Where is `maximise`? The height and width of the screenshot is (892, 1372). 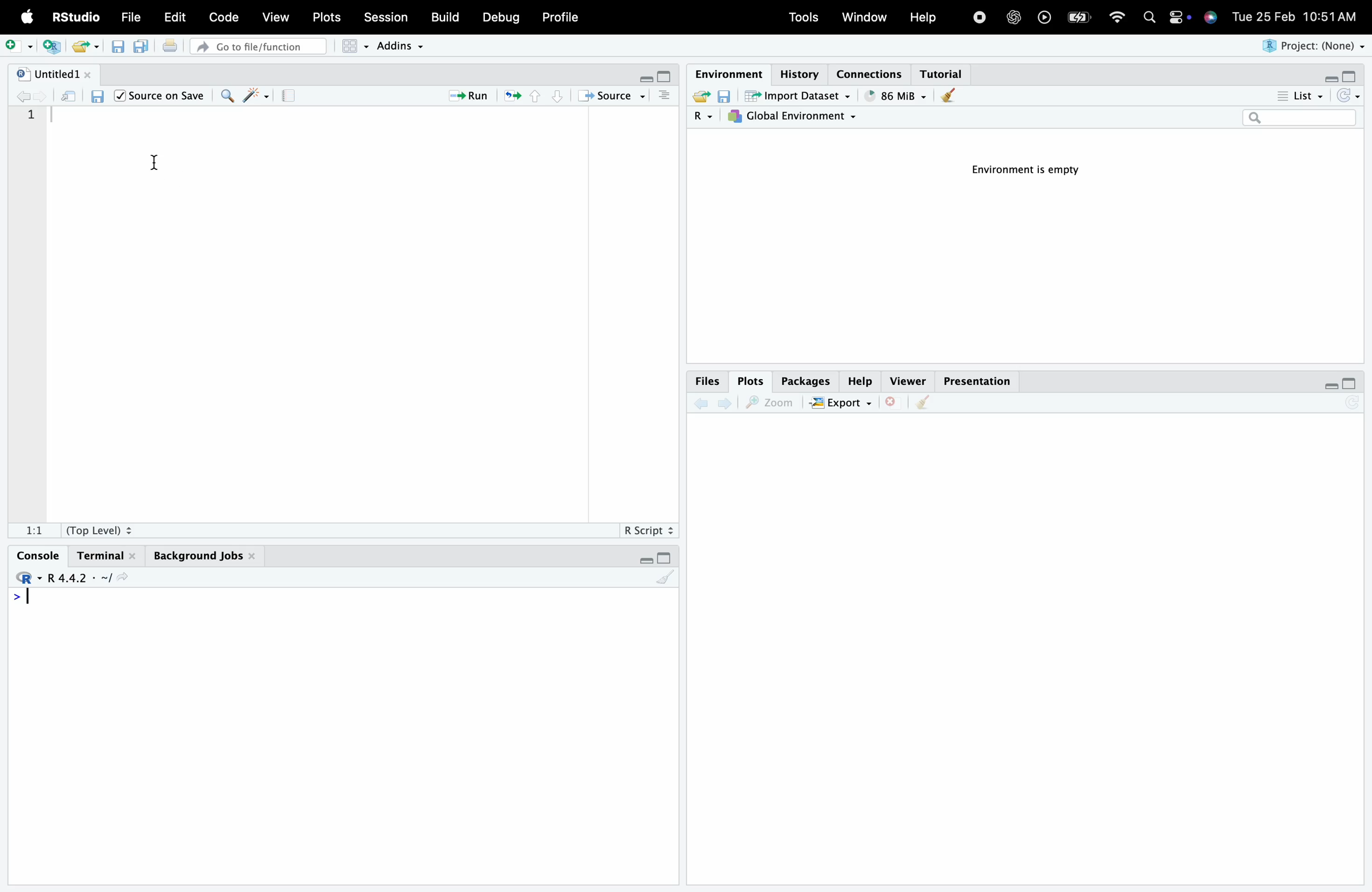 maximise is located at coordinates (666, 75).